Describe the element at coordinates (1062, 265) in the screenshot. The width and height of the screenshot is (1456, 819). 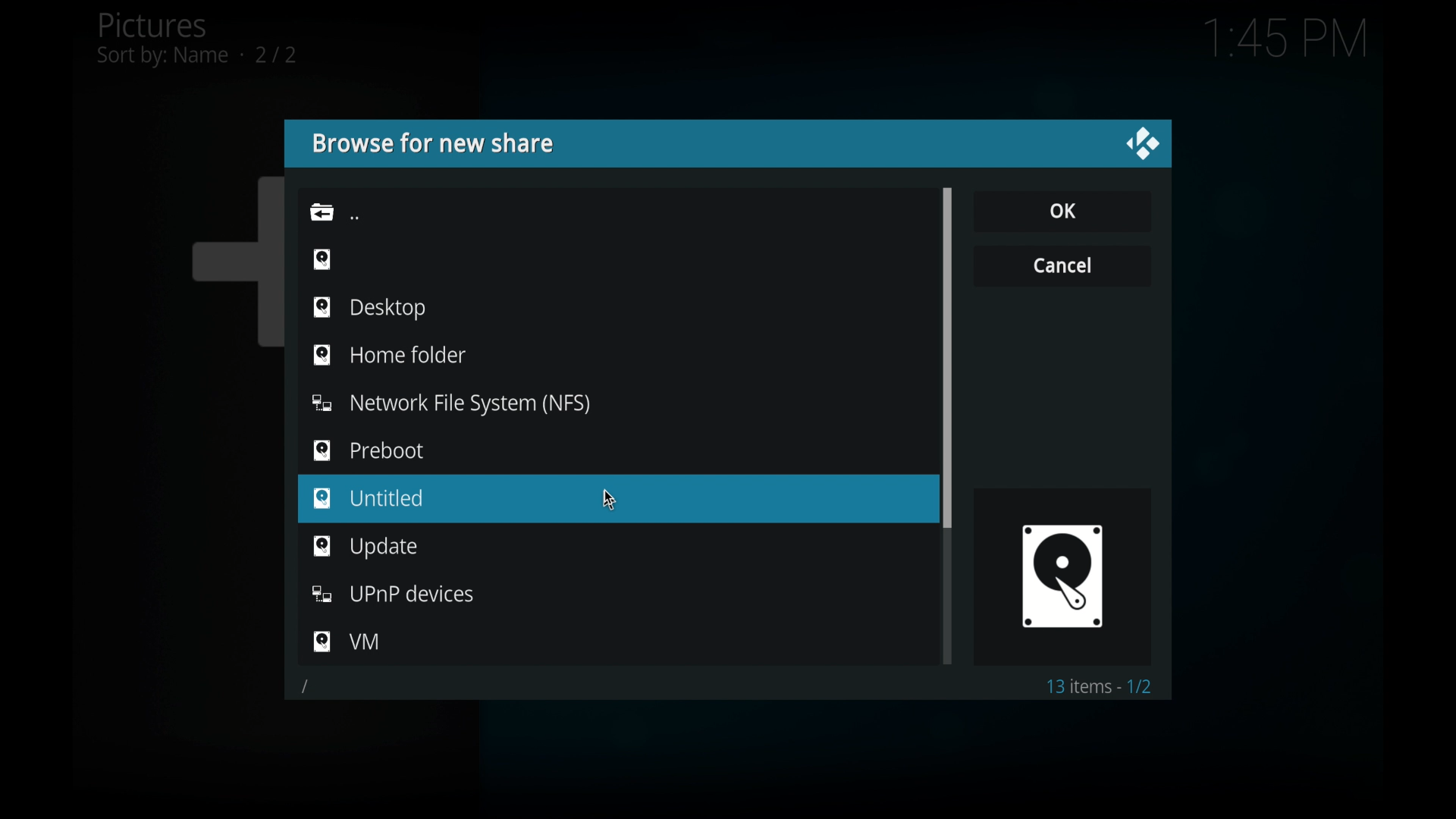
I see `cancel` at that location.